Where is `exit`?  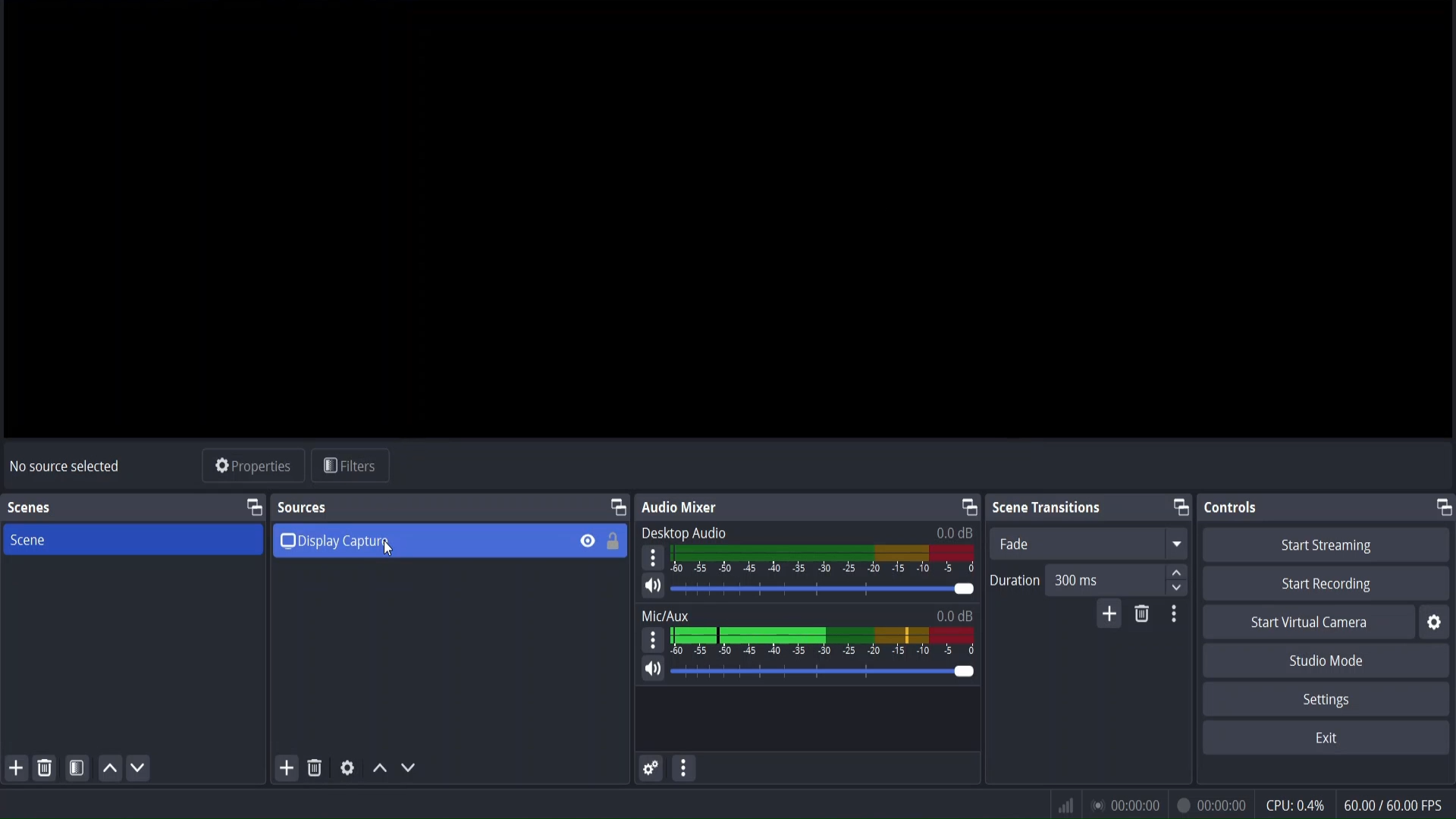
exit is located at coordinates (1326, 739).